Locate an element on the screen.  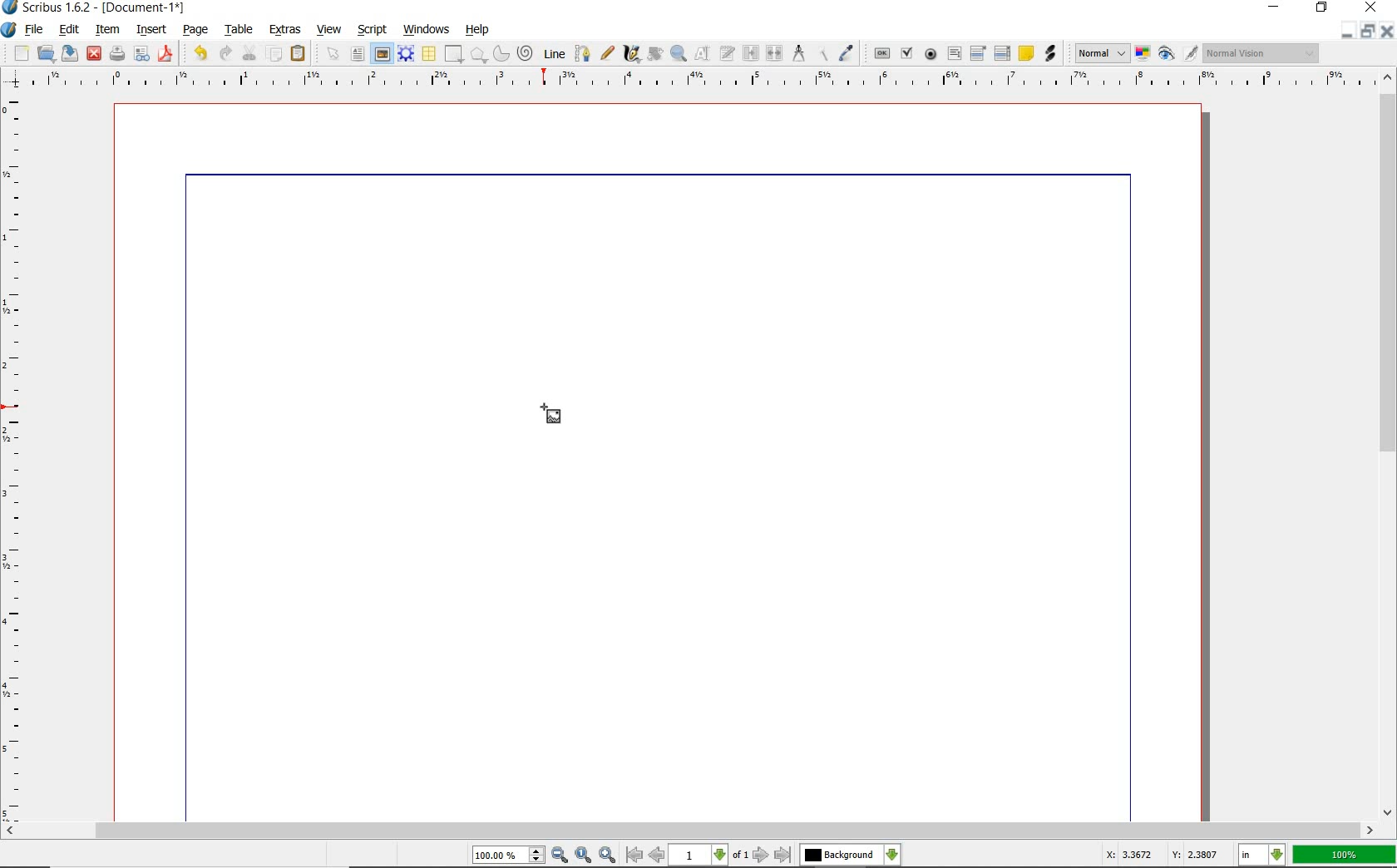
First Page is located at coordinates (634, 856).